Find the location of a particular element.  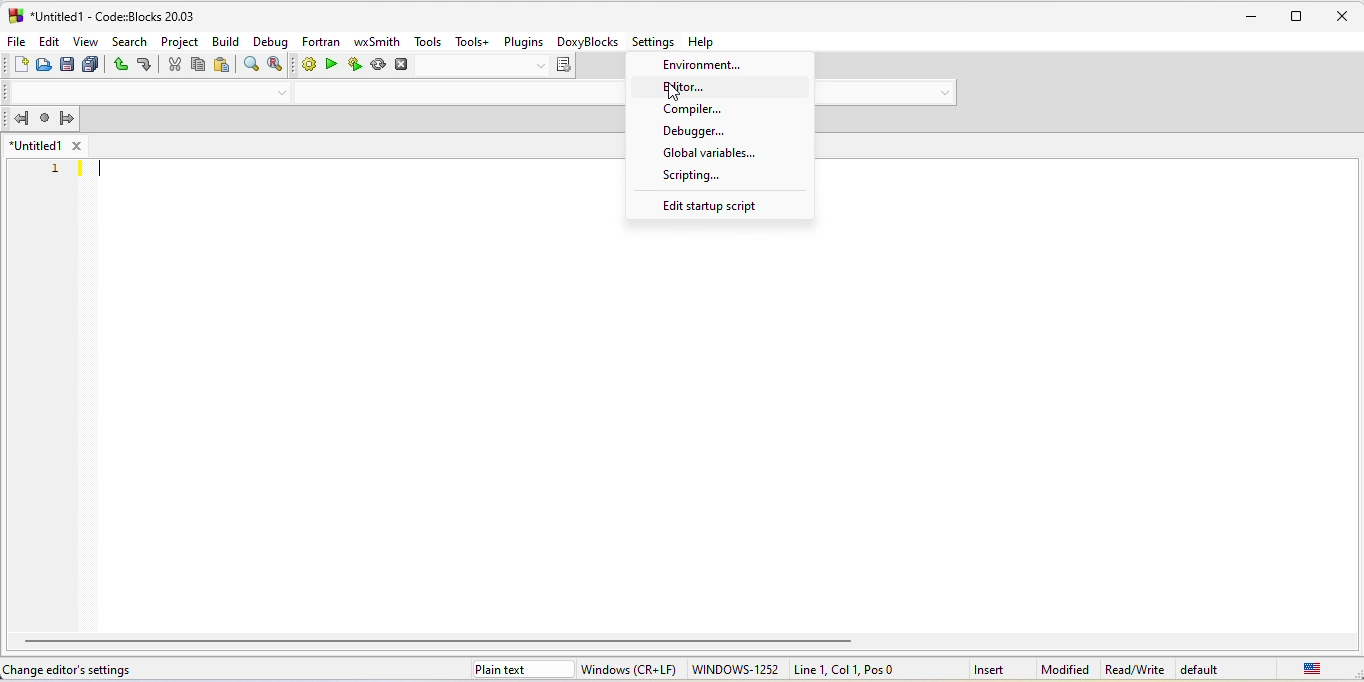

fortran is located at coordinates (319, 42).